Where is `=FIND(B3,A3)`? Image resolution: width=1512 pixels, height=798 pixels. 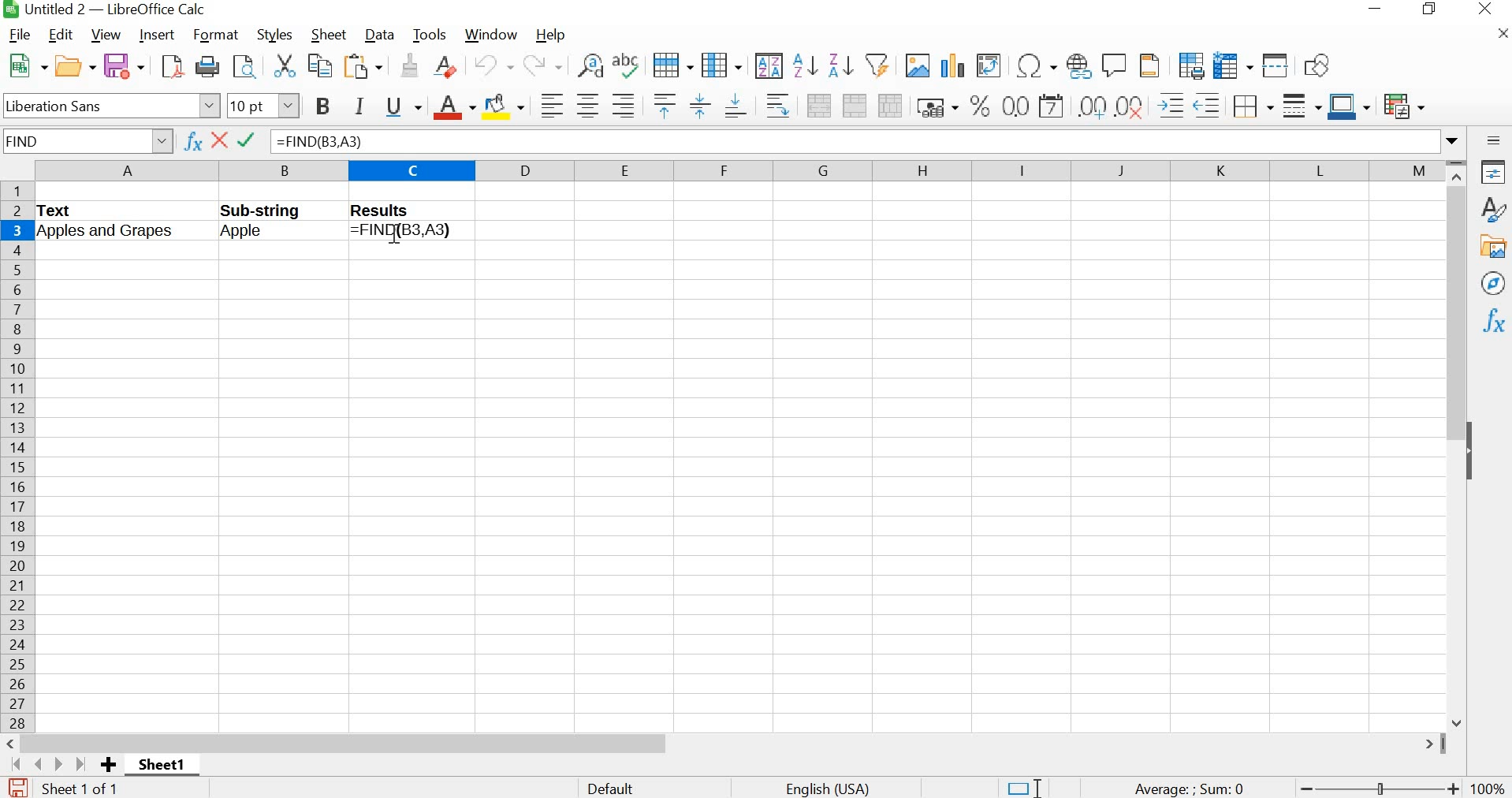 =FIND(B3,A3) is located at coordinates (411, 232).